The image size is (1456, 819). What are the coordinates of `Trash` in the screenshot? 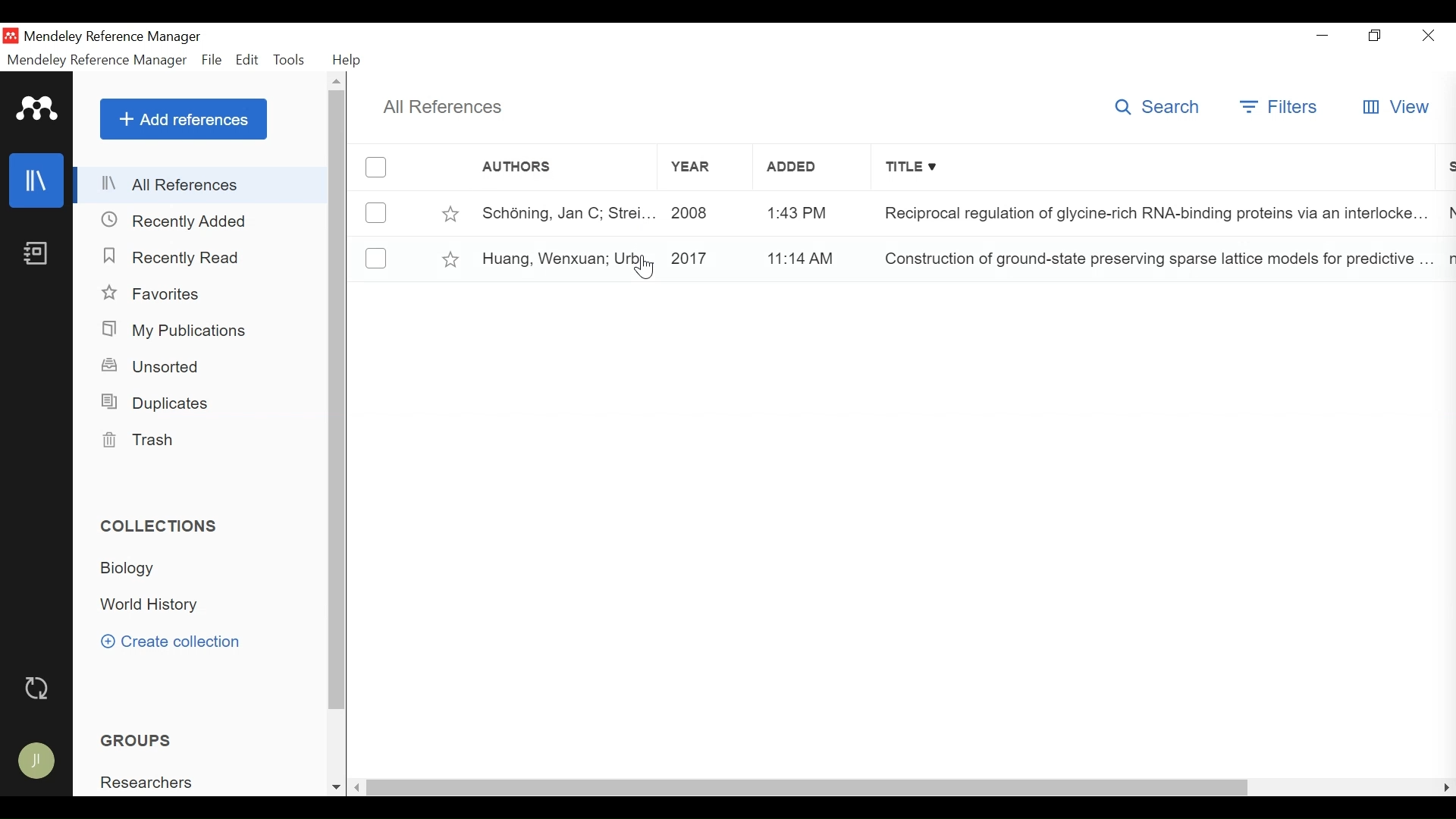 It's located at (136, 440).